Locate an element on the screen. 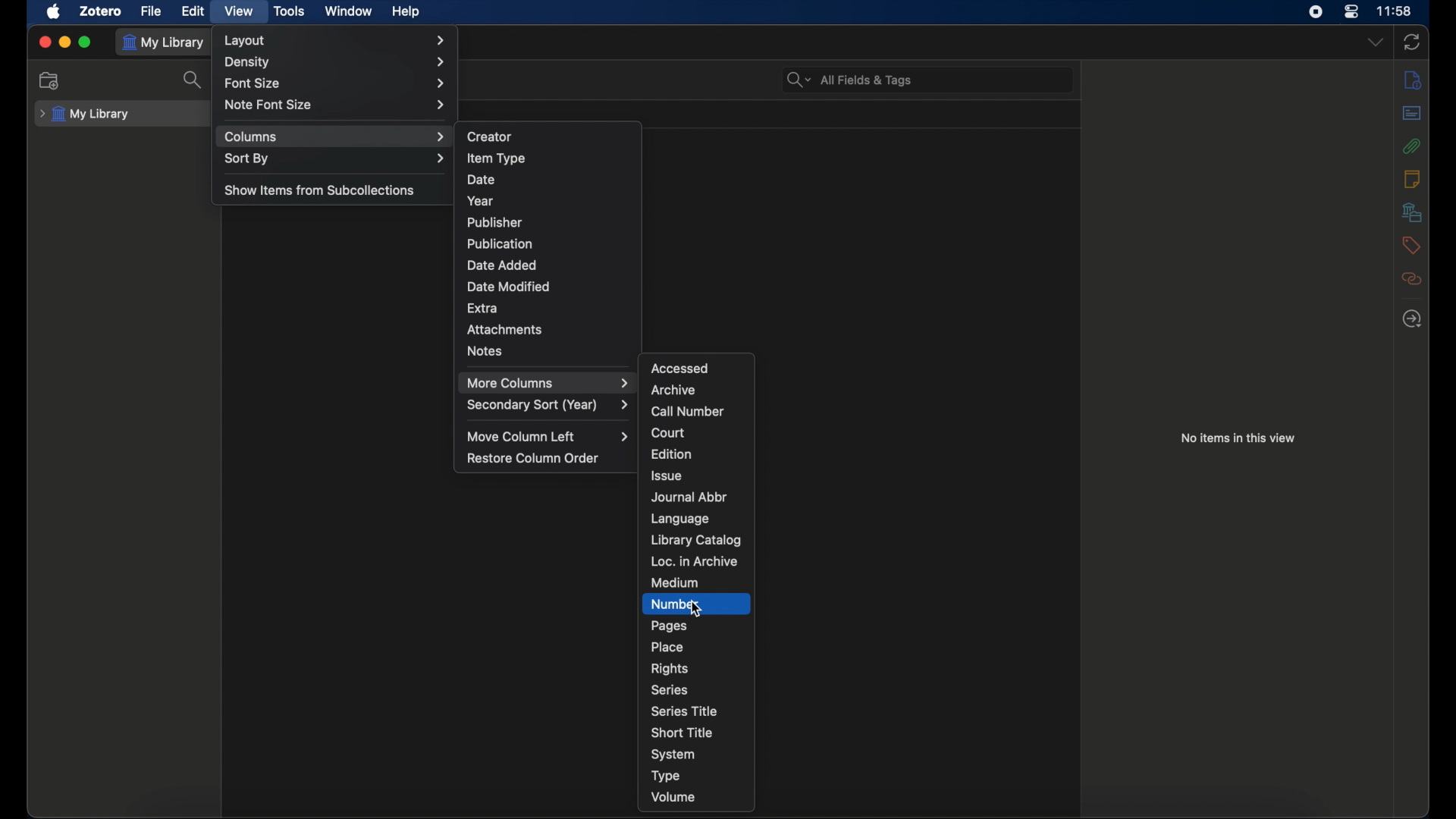  minimize is located at coordinates (64, 42).